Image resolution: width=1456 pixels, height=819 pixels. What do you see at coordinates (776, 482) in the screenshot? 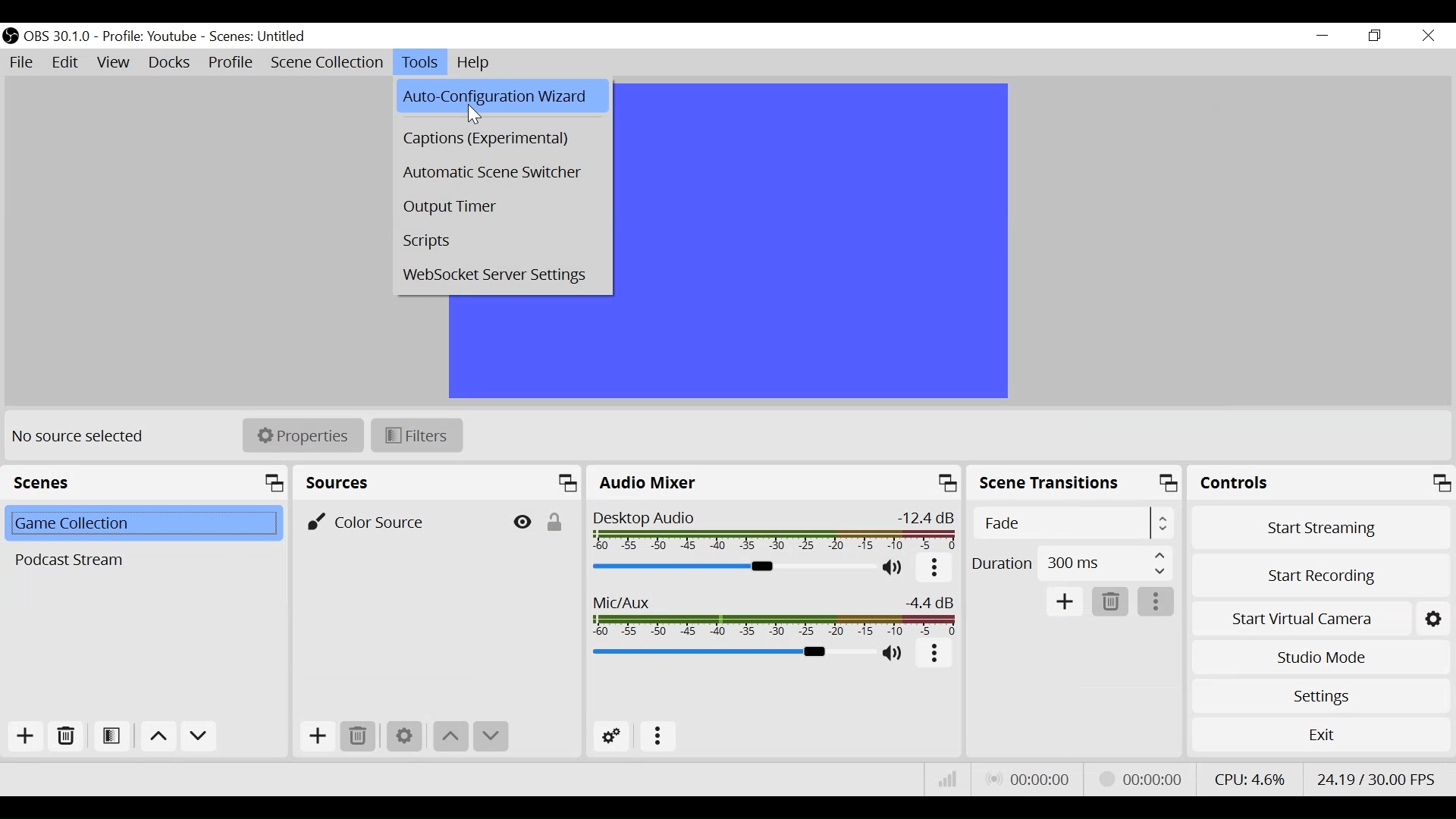
I see `Audio Mixer` at bounding box center [776, 482].